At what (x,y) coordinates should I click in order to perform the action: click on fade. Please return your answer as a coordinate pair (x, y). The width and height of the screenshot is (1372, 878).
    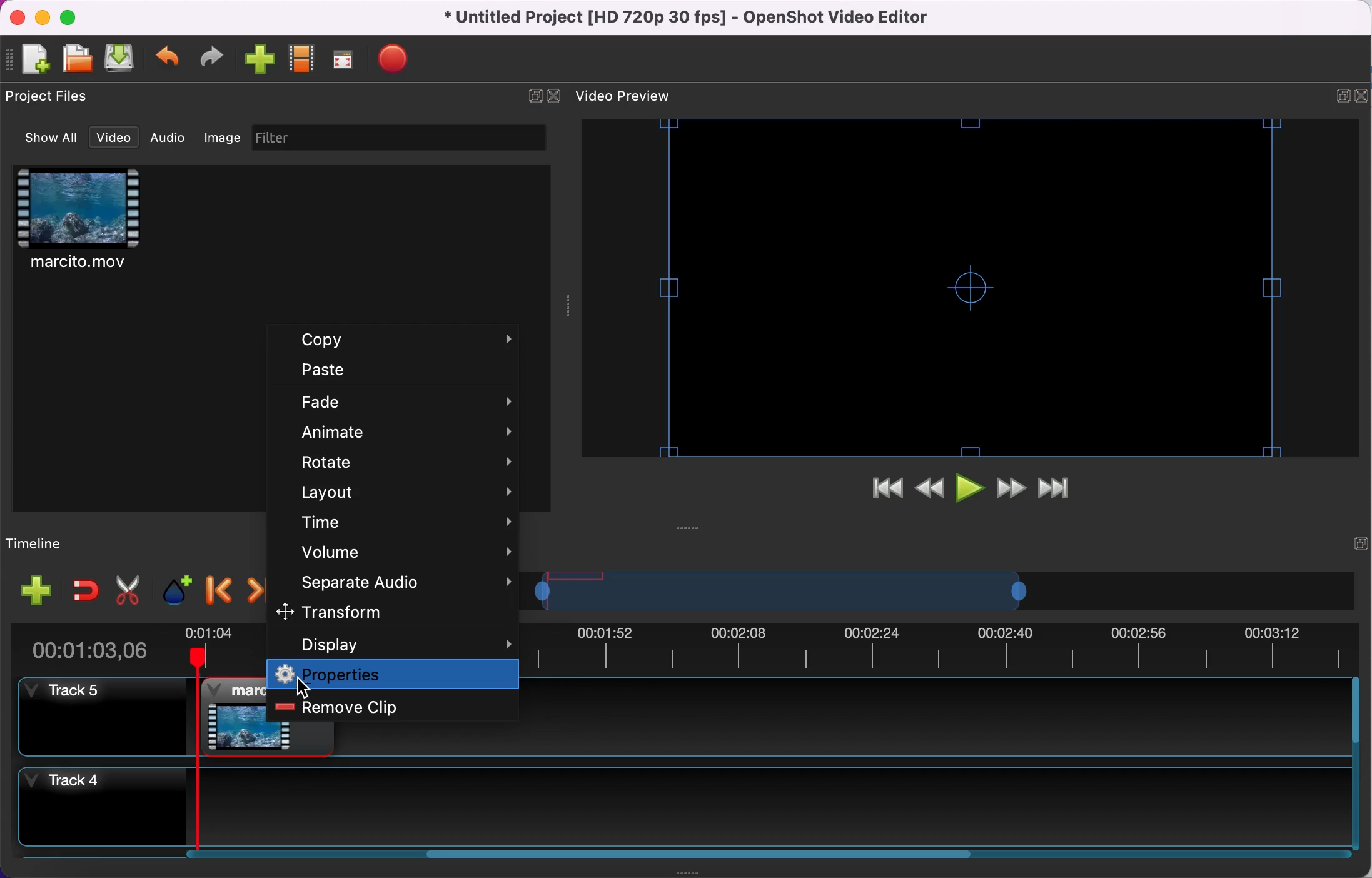
    Looking at the image, I should click on (392, 404).